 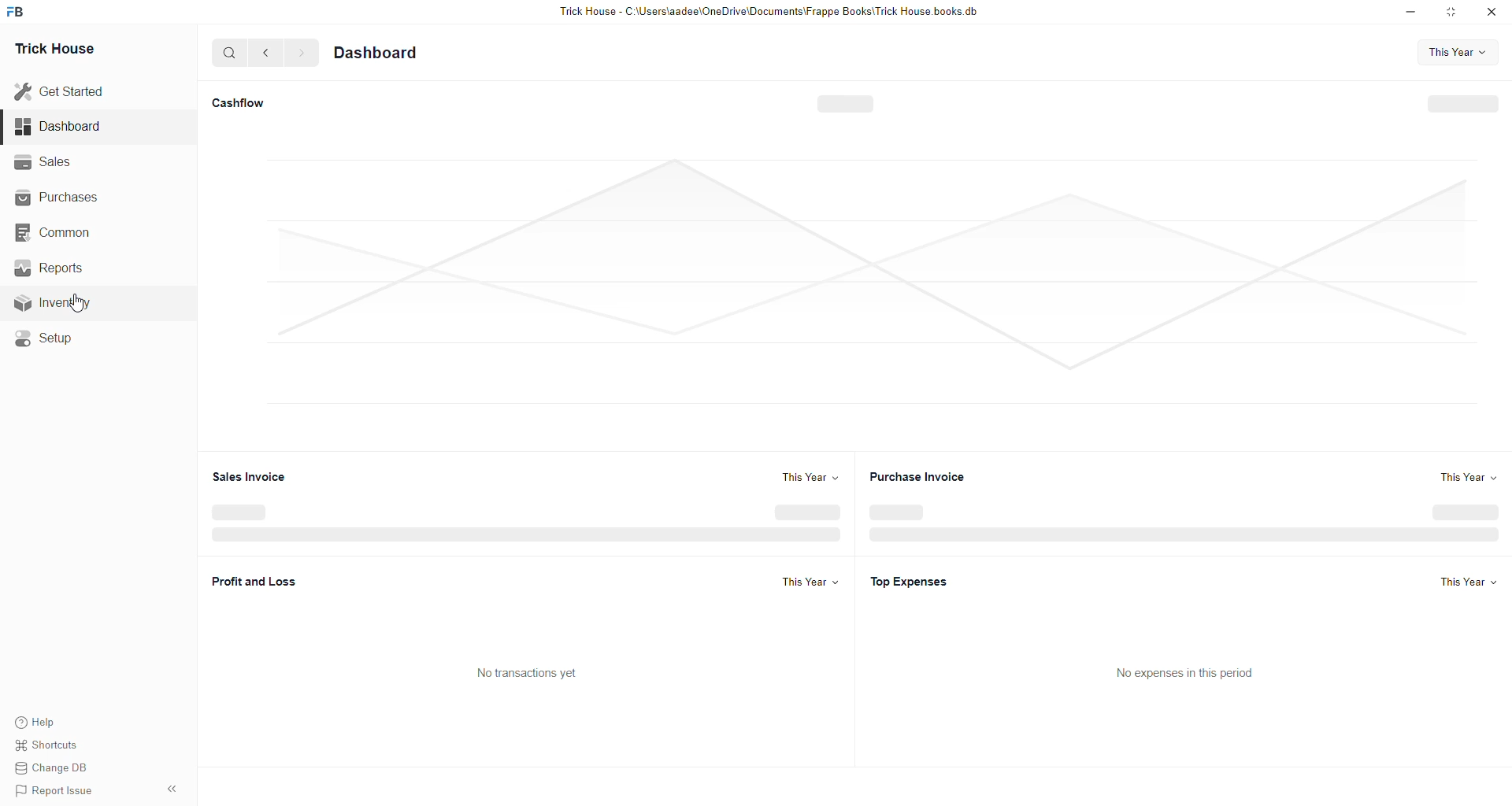 What do you see at coordinates (258, 582) in the screenshot?
I see `Profit and Loss` at bounding box center [258, 582].